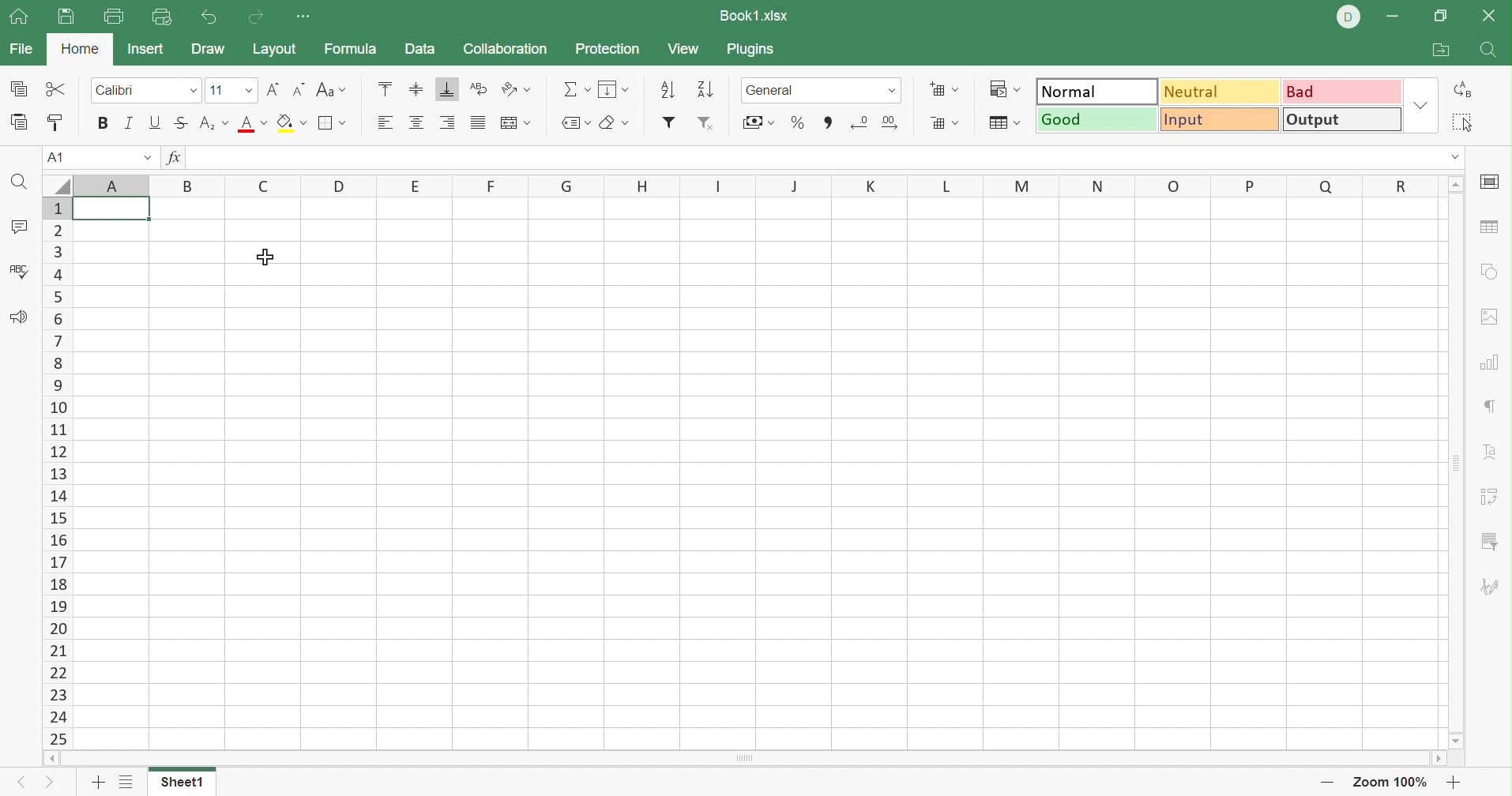 This screenshot has width=1512, height=796. Describe the element at coordinates (449, 88) in the screenshot. I see `Align bottom` at that location.